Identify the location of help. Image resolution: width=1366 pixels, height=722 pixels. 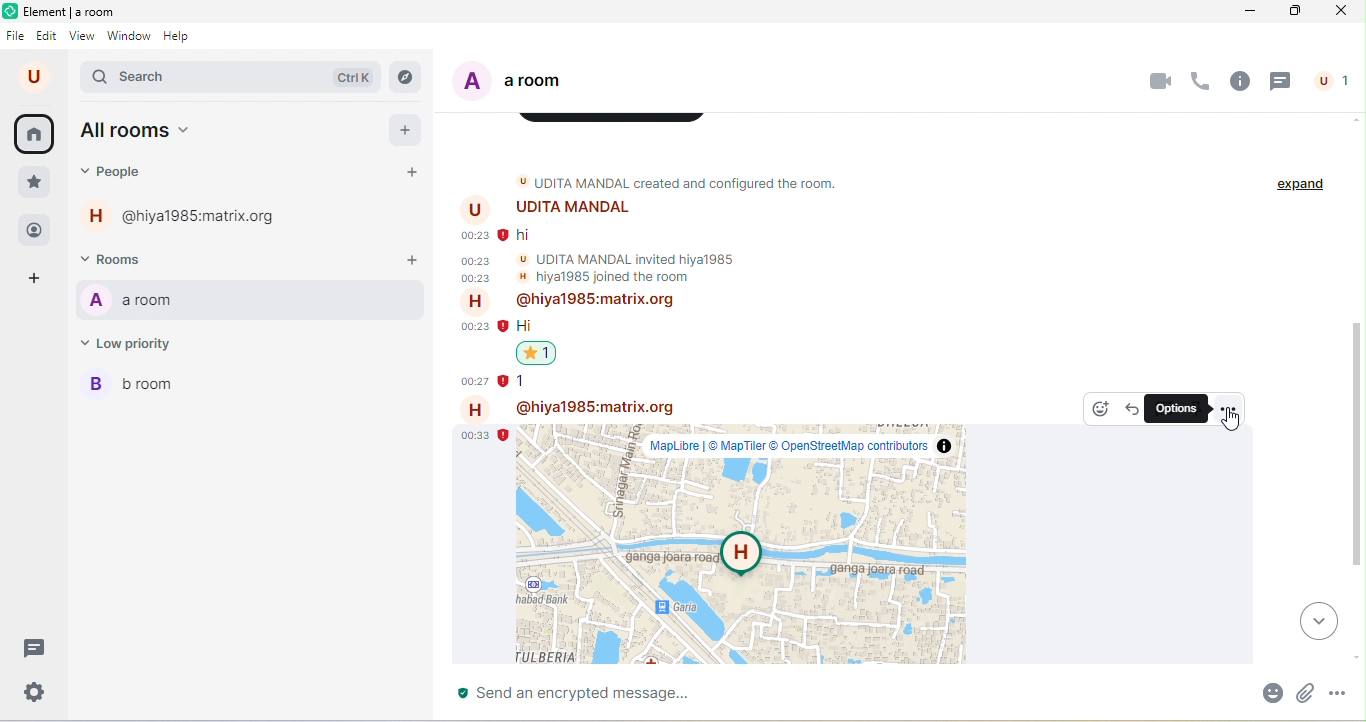
(177, 37).